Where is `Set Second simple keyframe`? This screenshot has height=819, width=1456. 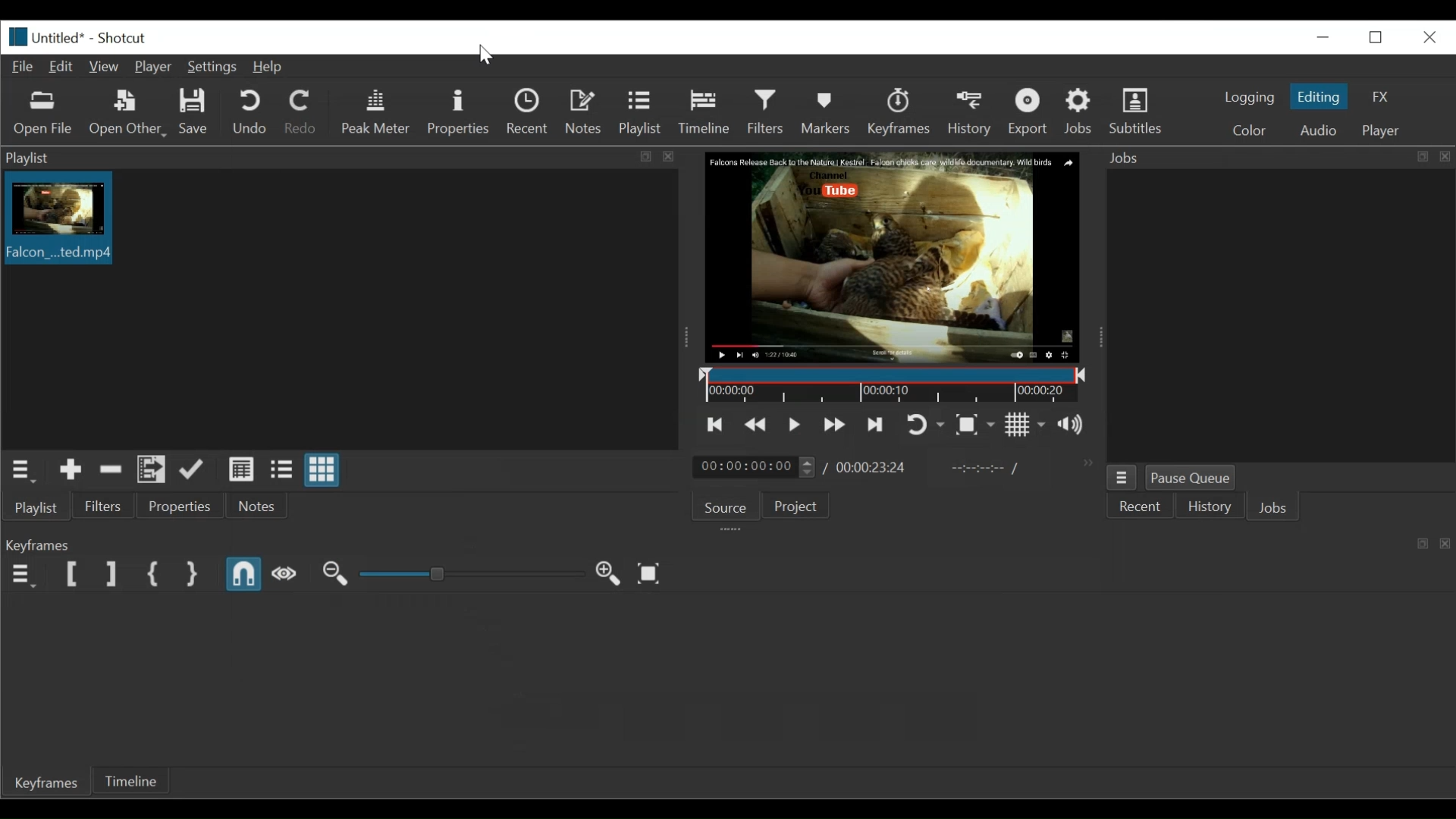
Set Second simple keyframe is located at coordinates (193, 576).